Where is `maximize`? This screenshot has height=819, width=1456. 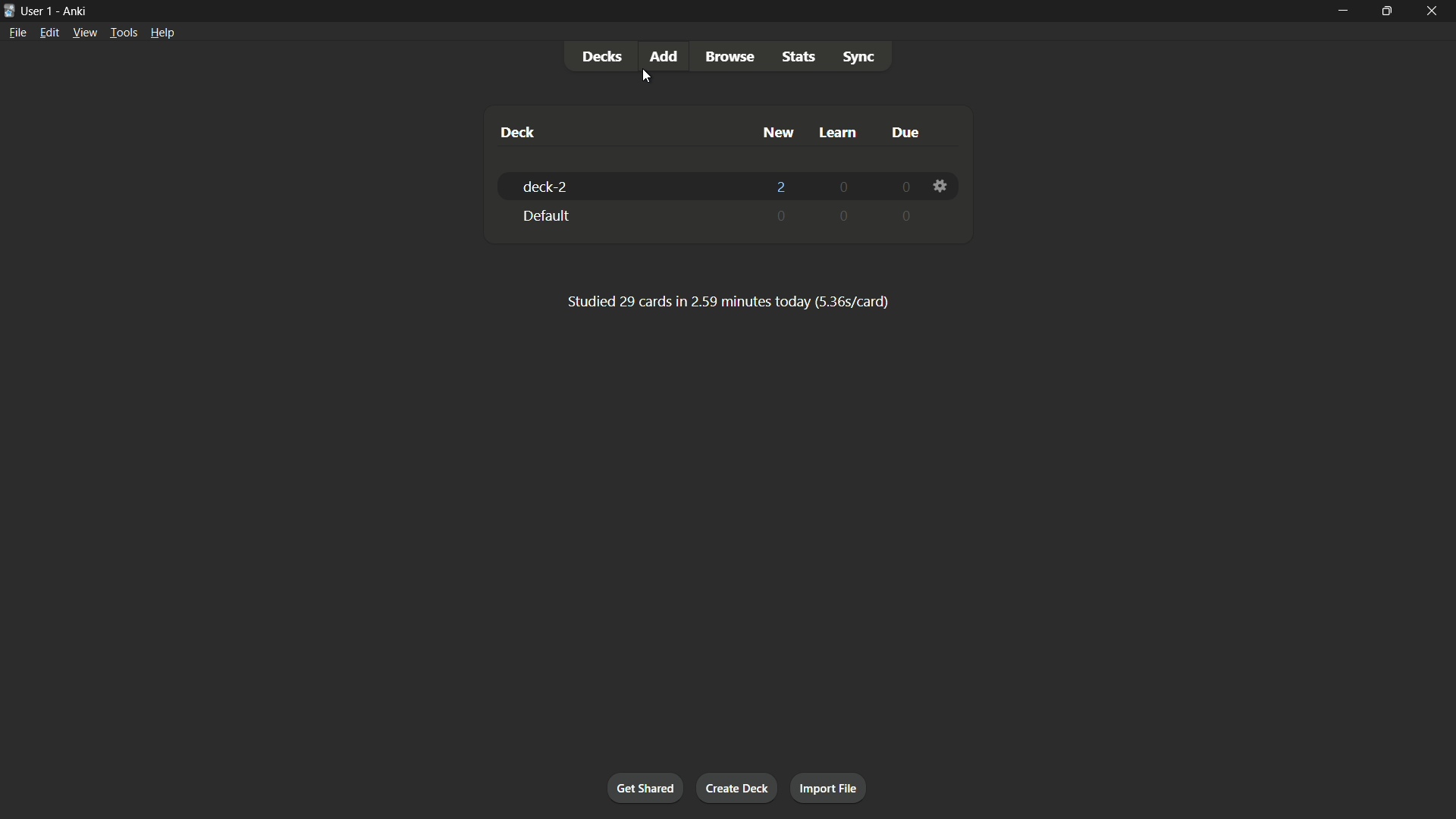 maximize is located at coordinates (1386, 11).